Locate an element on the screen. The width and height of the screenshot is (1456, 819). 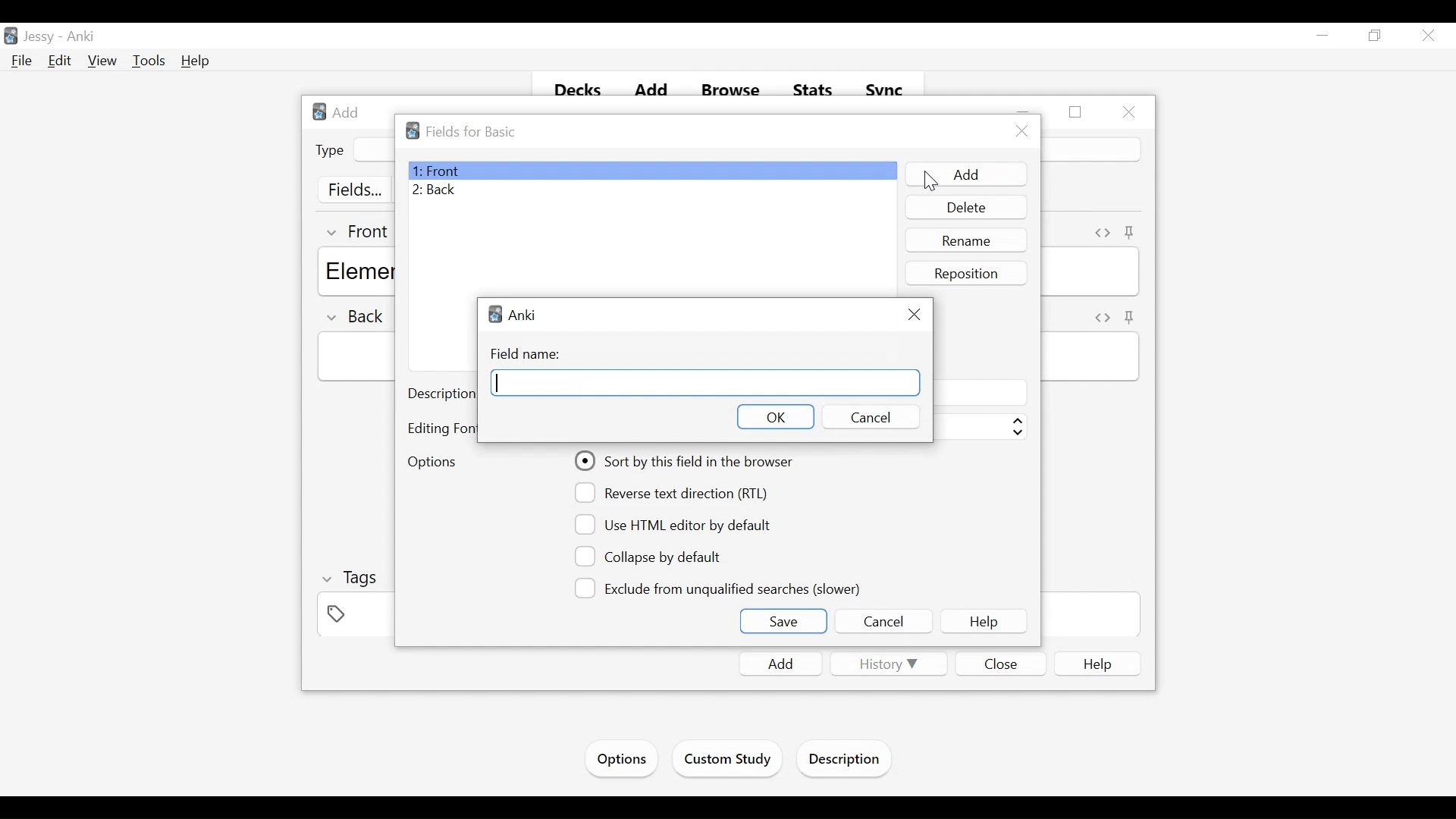
minimize is located at coordinates (1323, 36).